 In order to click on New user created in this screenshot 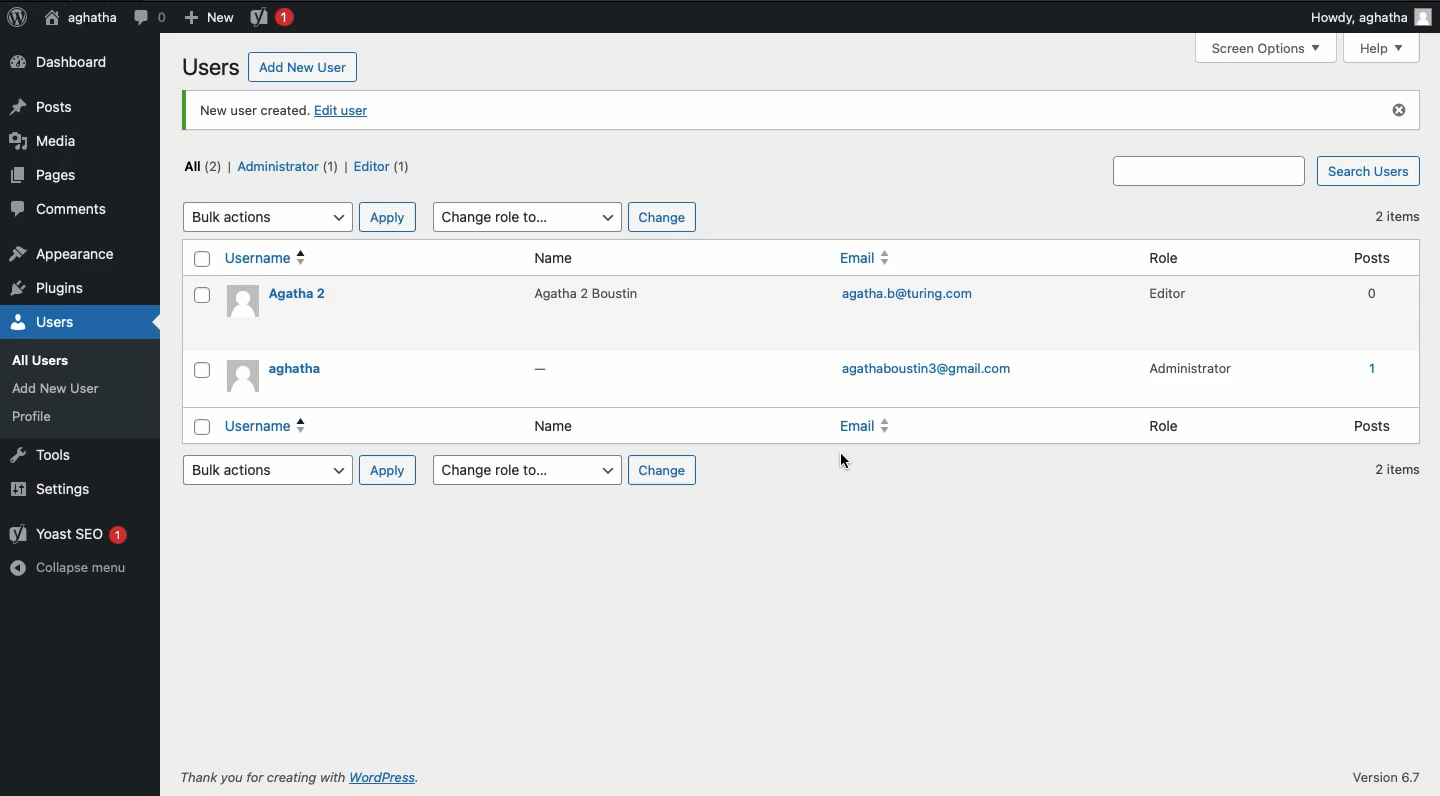, I will do `click(249, 110)`.